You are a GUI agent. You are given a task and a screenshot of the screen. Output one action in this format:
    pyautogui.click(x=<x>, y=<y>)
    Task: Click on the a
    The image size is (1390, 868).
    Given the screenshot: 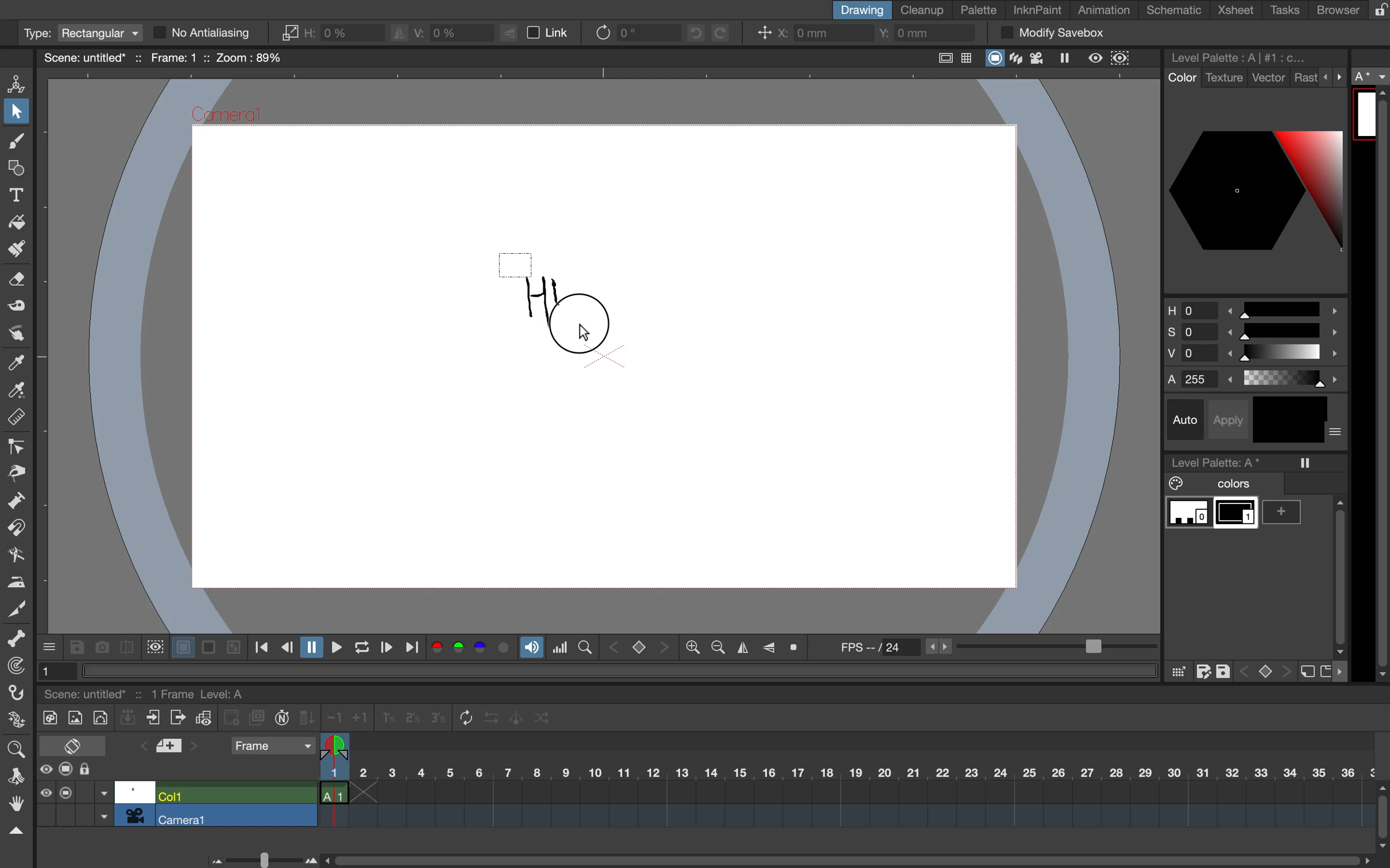 What is the action you would take?
    pyautogui.click(x=1372, y=77)
    